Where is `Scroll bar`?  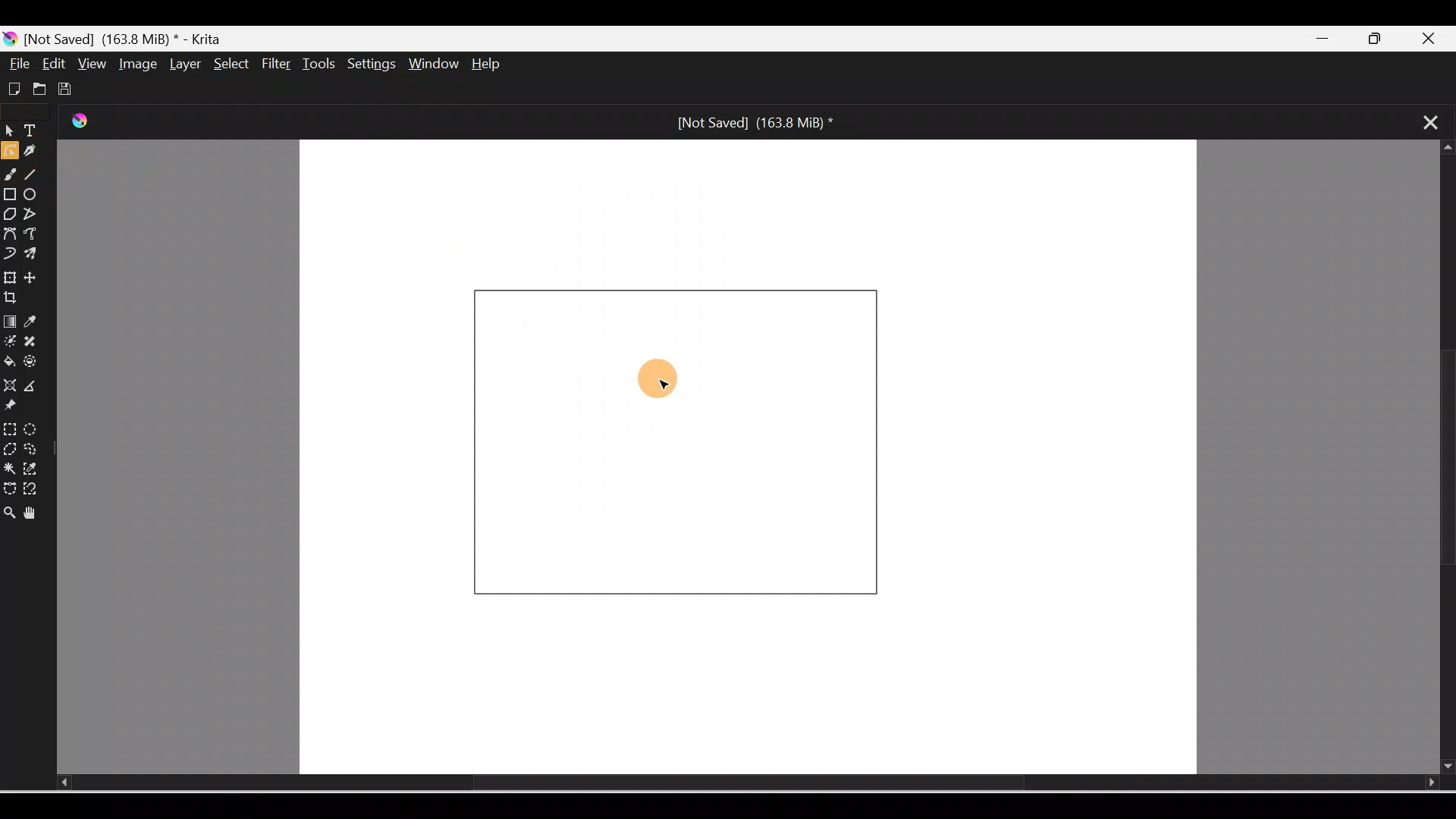
Scroll bar is located at coordinates (1442, 458).